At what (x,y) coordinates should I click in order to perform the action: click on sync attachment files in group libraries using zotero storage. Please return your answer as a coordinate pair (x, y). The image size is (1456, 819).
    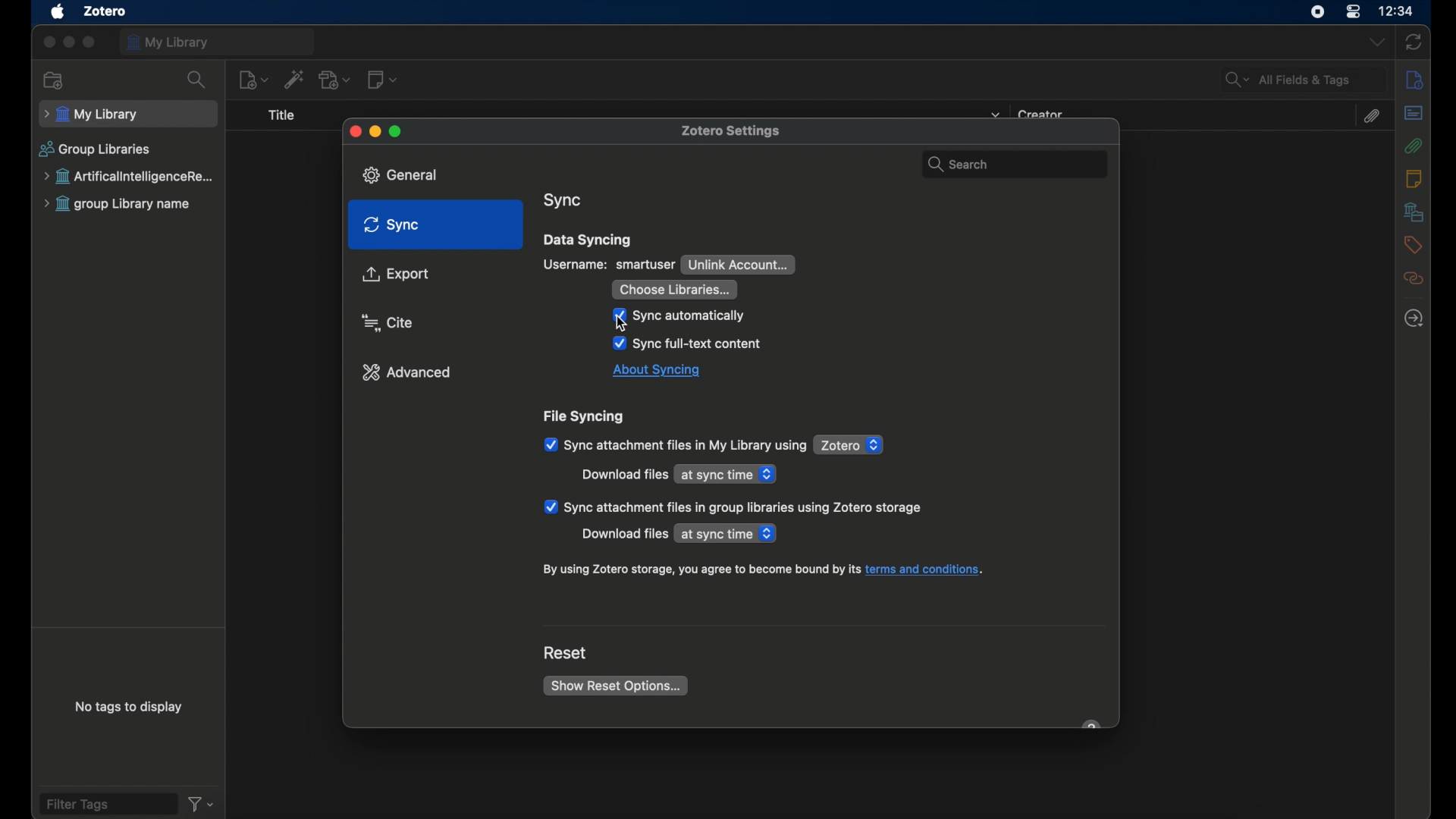
    Looking at the image, I should click on (733, 507).